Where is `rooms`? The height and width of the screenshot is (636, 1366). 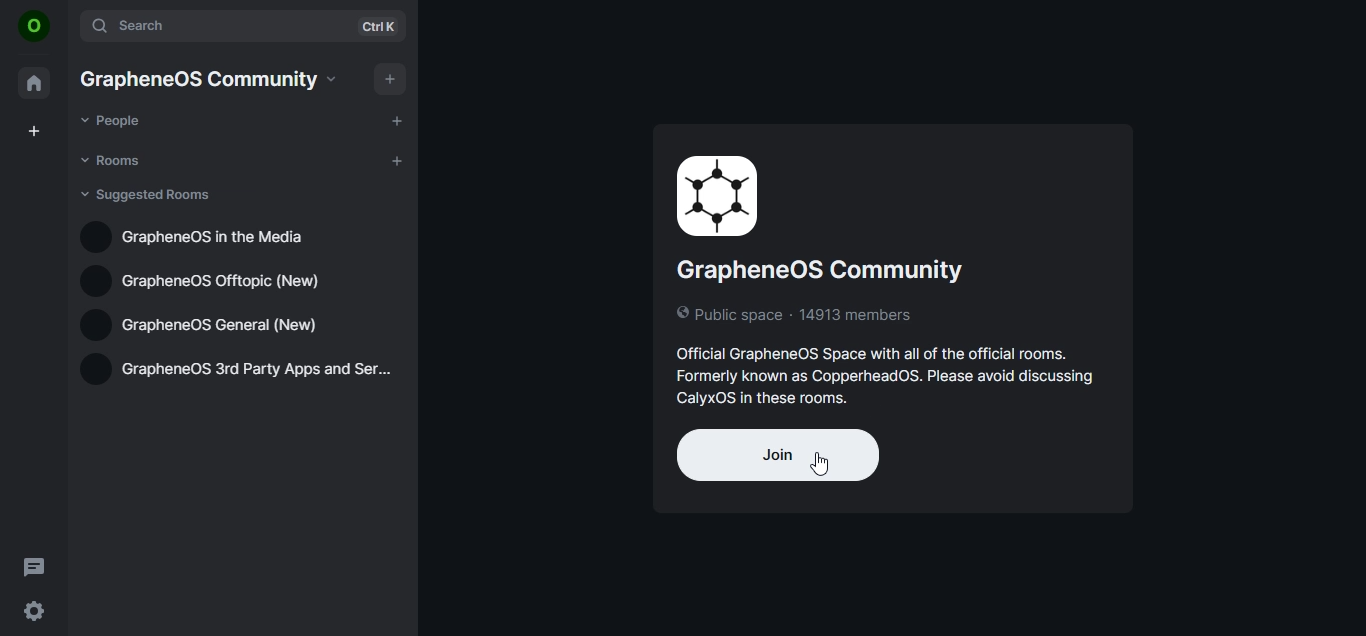
rooms is located at coordinates (114, 160).